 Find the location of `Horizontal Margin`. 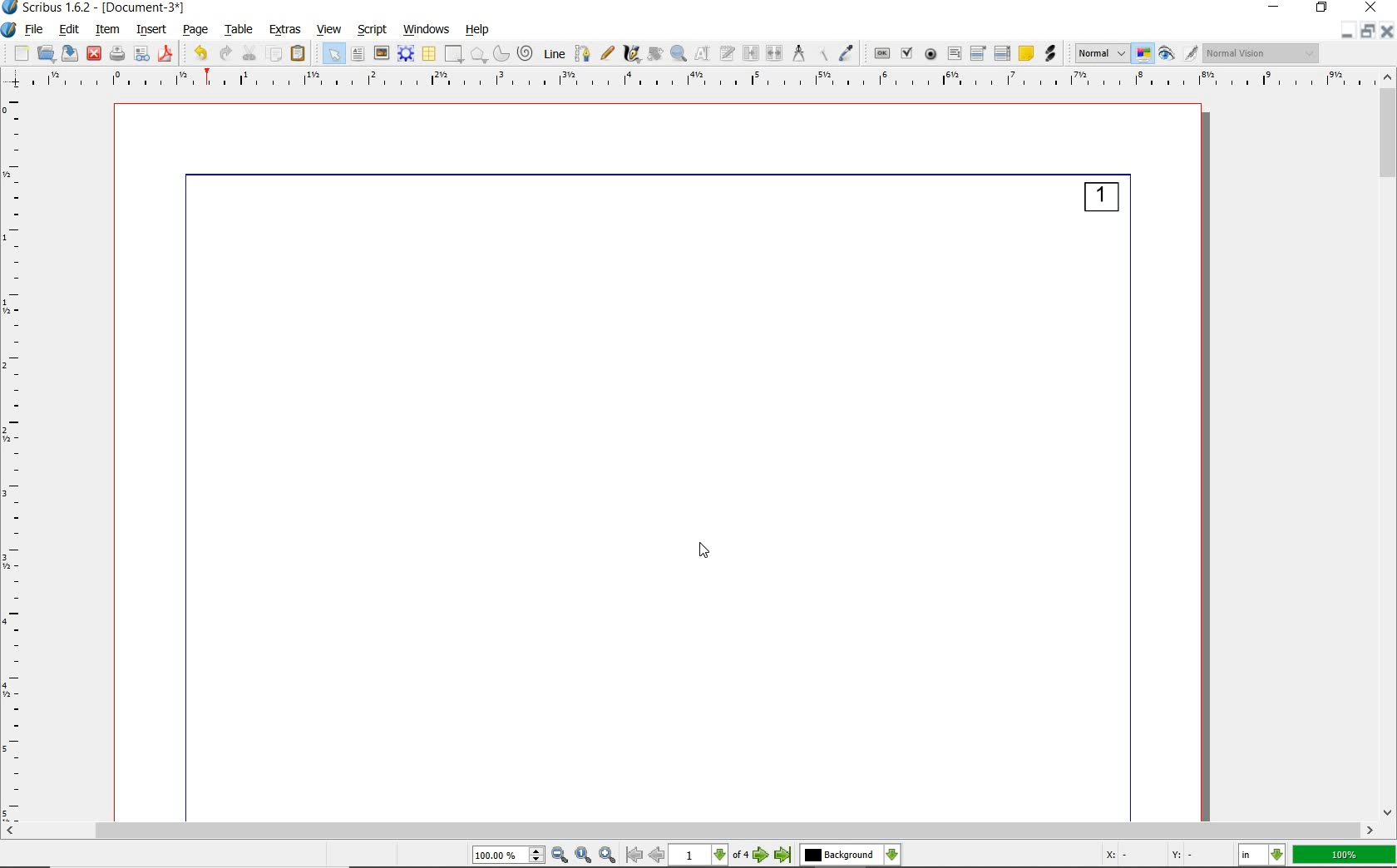

Horizontal Margin is located at coordinates (700, 81).